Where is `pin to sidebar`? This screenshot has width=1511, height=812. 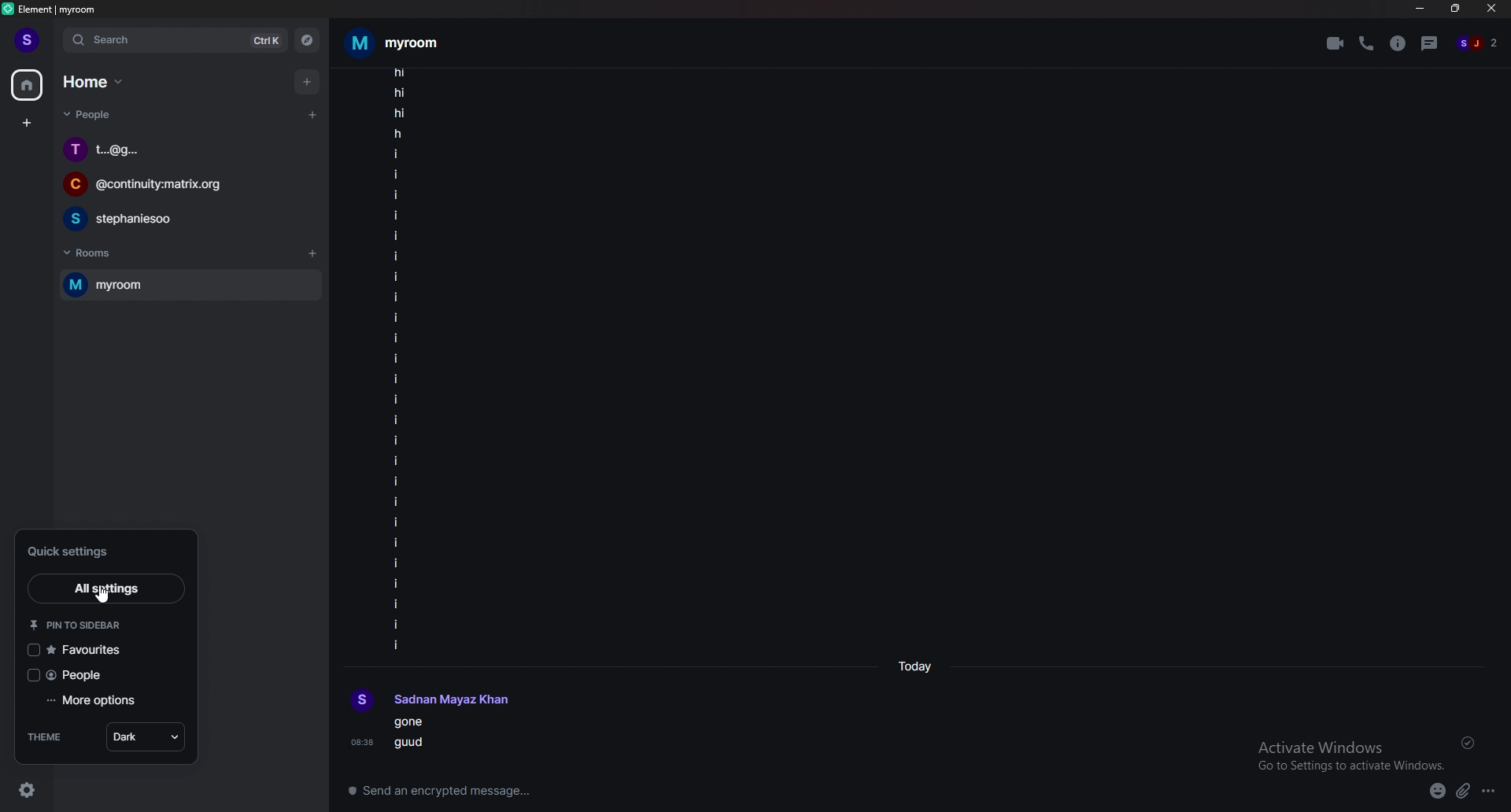 pin to sidebar is located at coordinates (76, 623).